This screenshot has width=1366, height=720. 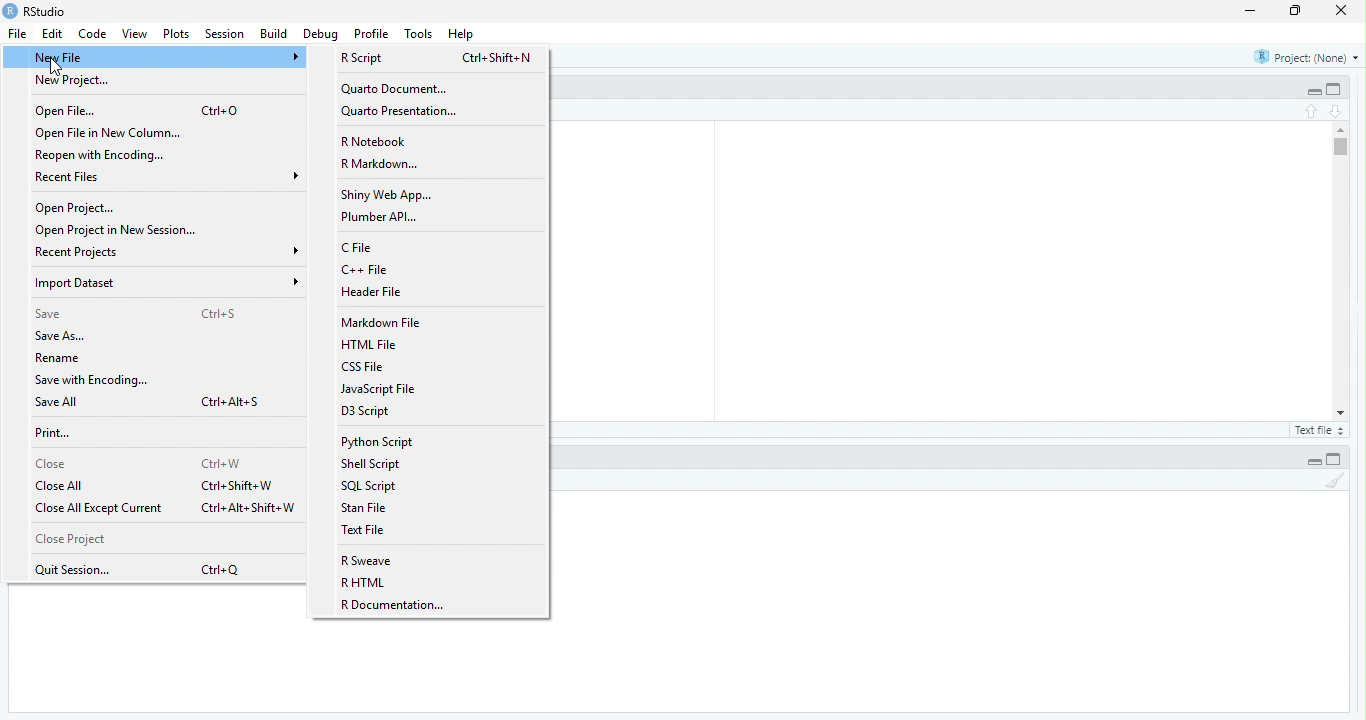 What do you see at coordinates (71, 539) in the screenshot?
I see `Close Project` at bounding box center [71, 539].